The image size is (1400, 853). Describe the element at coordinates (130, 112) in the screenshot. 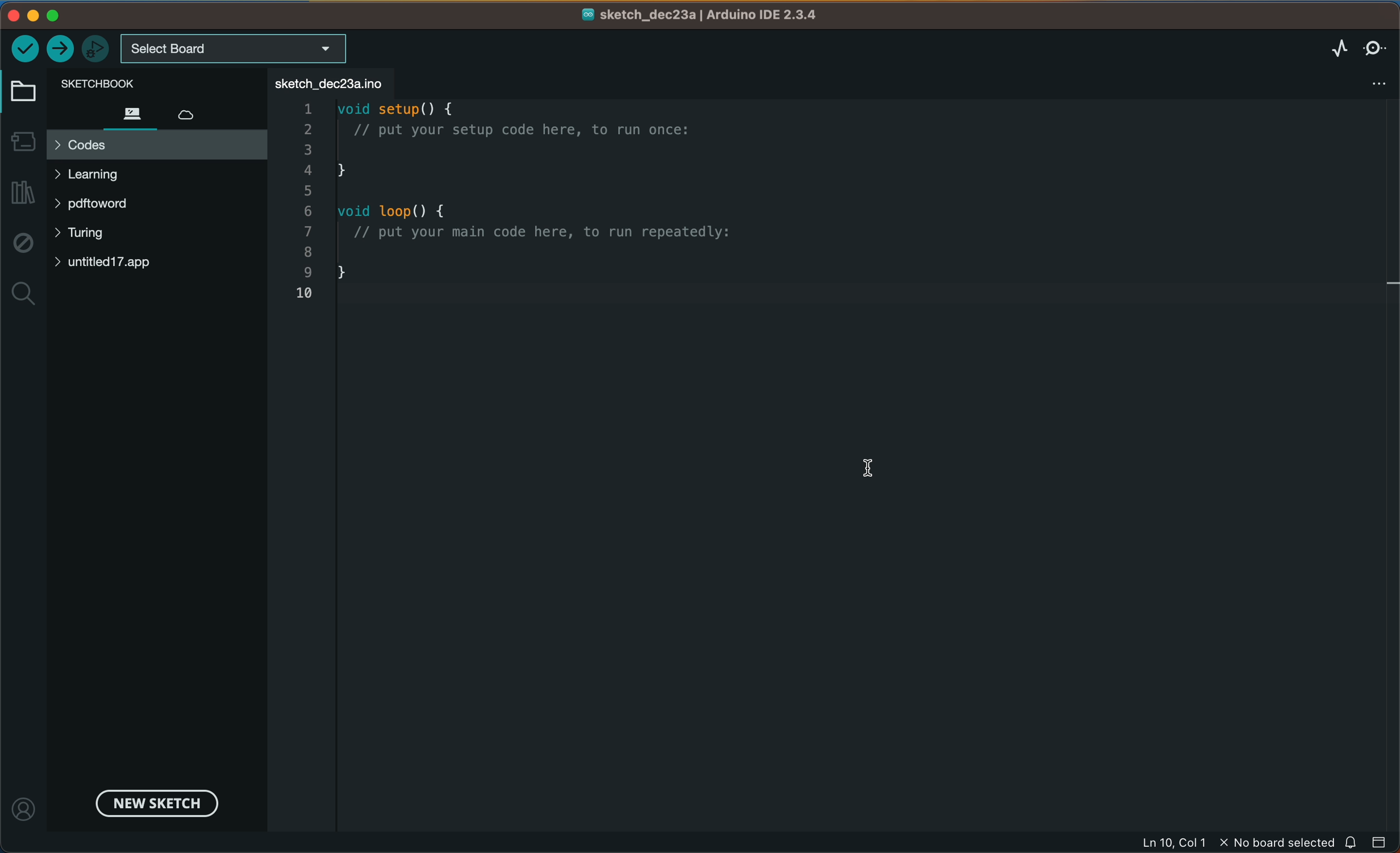

I see `files` at that location.